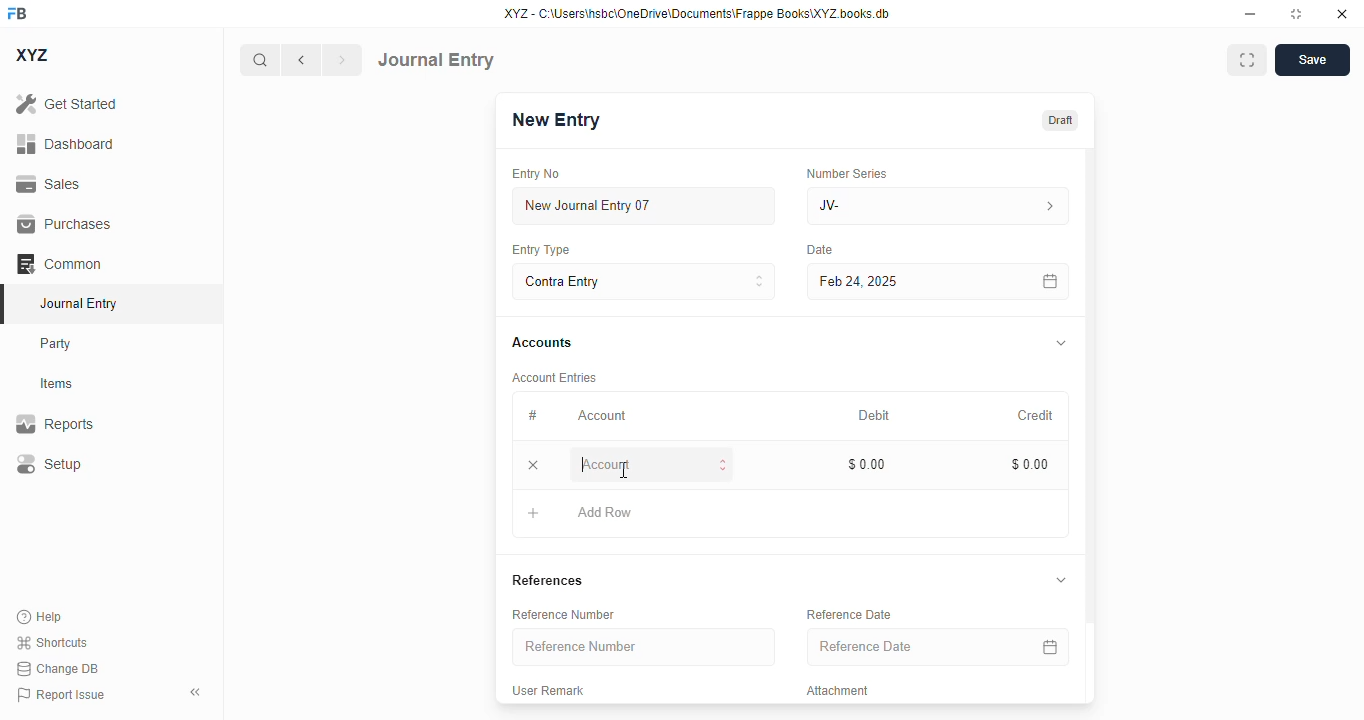 This screenshot has height=720, width=1364. Describe the element at coordinates (875, 415) in the screenshot. I see `debit` at that location.